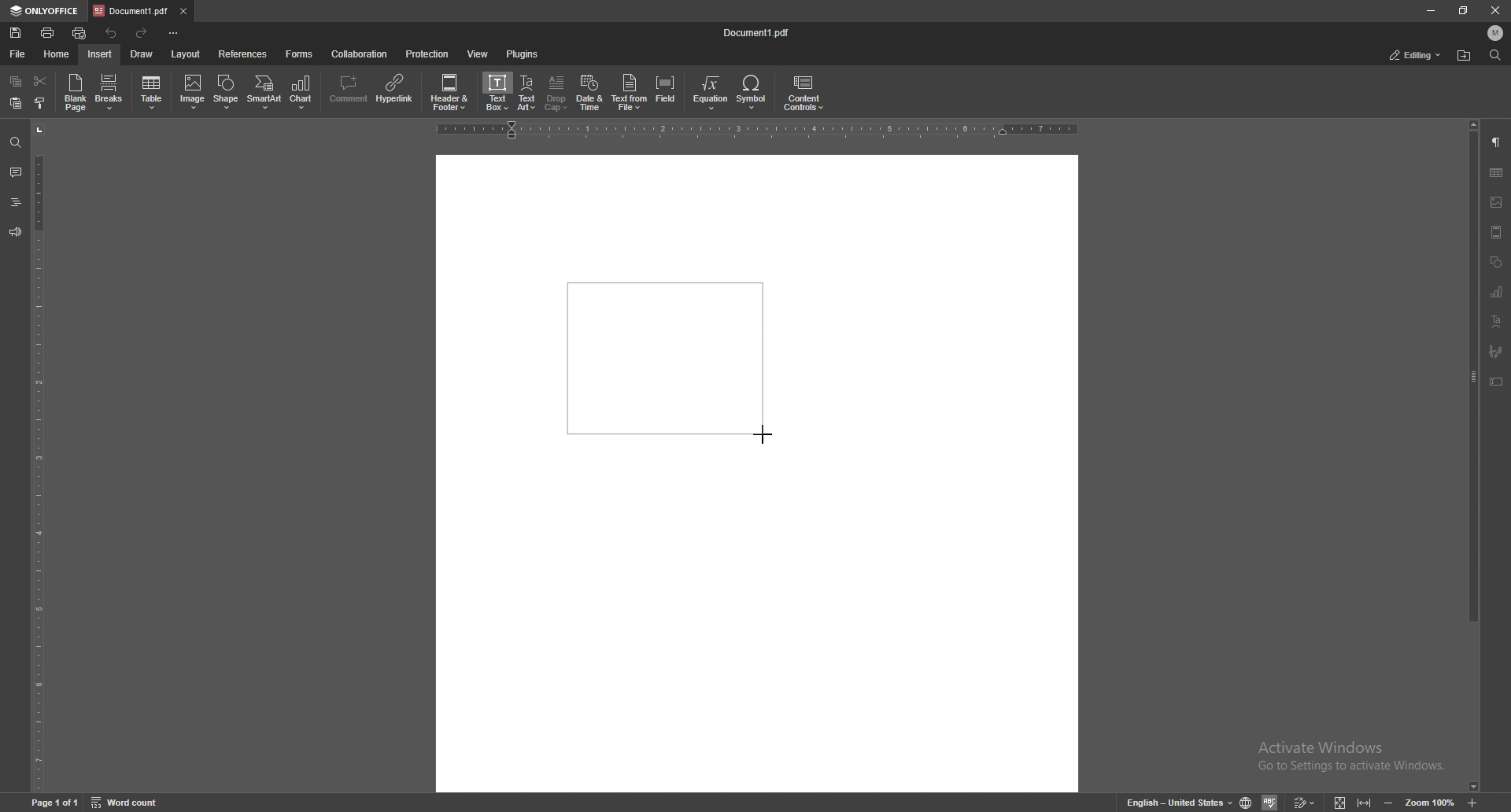  What do you see at coordinates (528, 94) in the screenshot?
I see `text art` at bounding box center [528, 94].